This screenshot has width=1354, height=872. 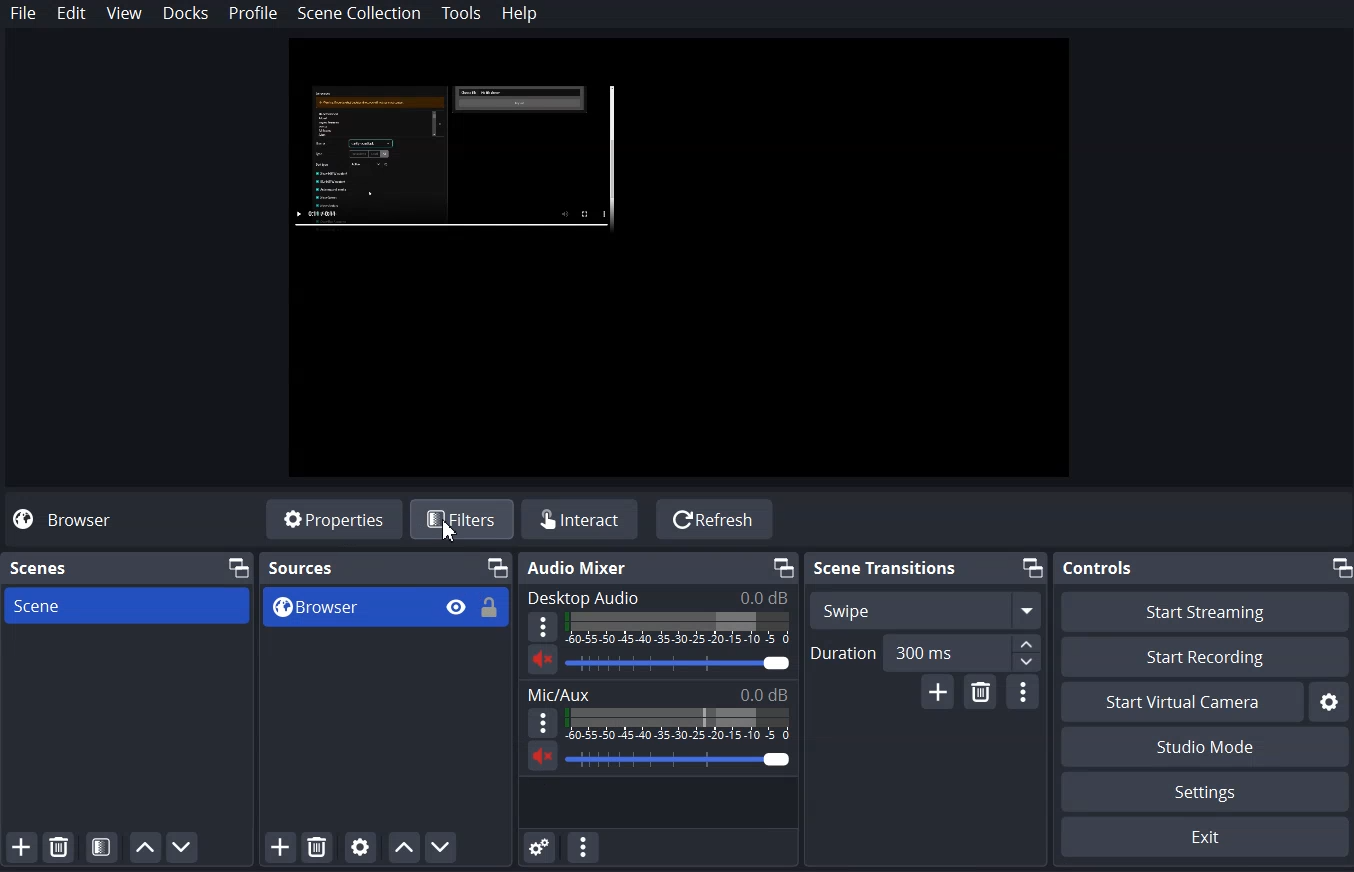 I want to click on Settings, so click(x=1206, y=791).